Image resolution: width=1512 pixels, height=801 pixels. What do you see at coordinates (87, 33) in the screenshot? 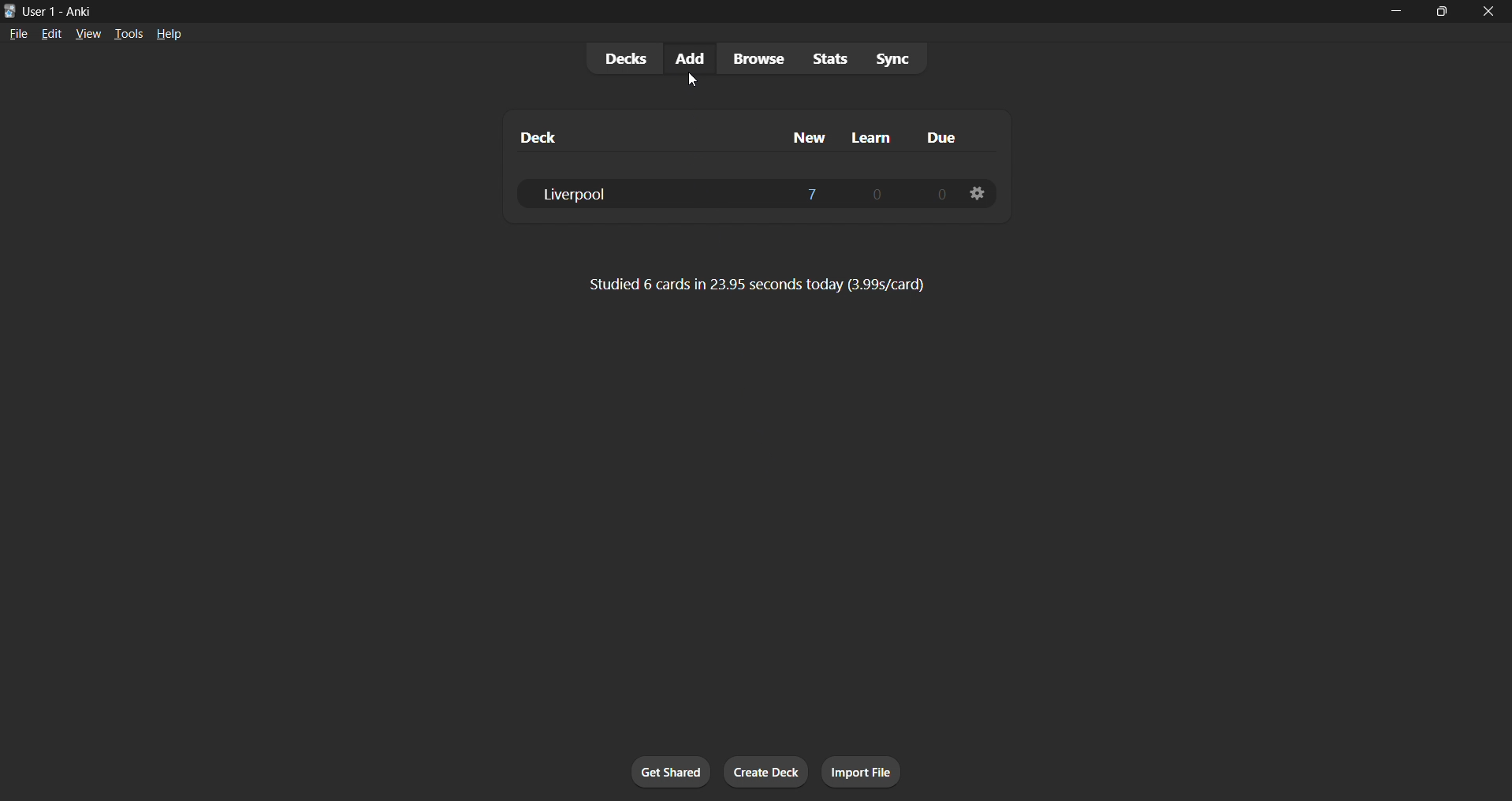
I see `view` at bounding box center [87, 33].